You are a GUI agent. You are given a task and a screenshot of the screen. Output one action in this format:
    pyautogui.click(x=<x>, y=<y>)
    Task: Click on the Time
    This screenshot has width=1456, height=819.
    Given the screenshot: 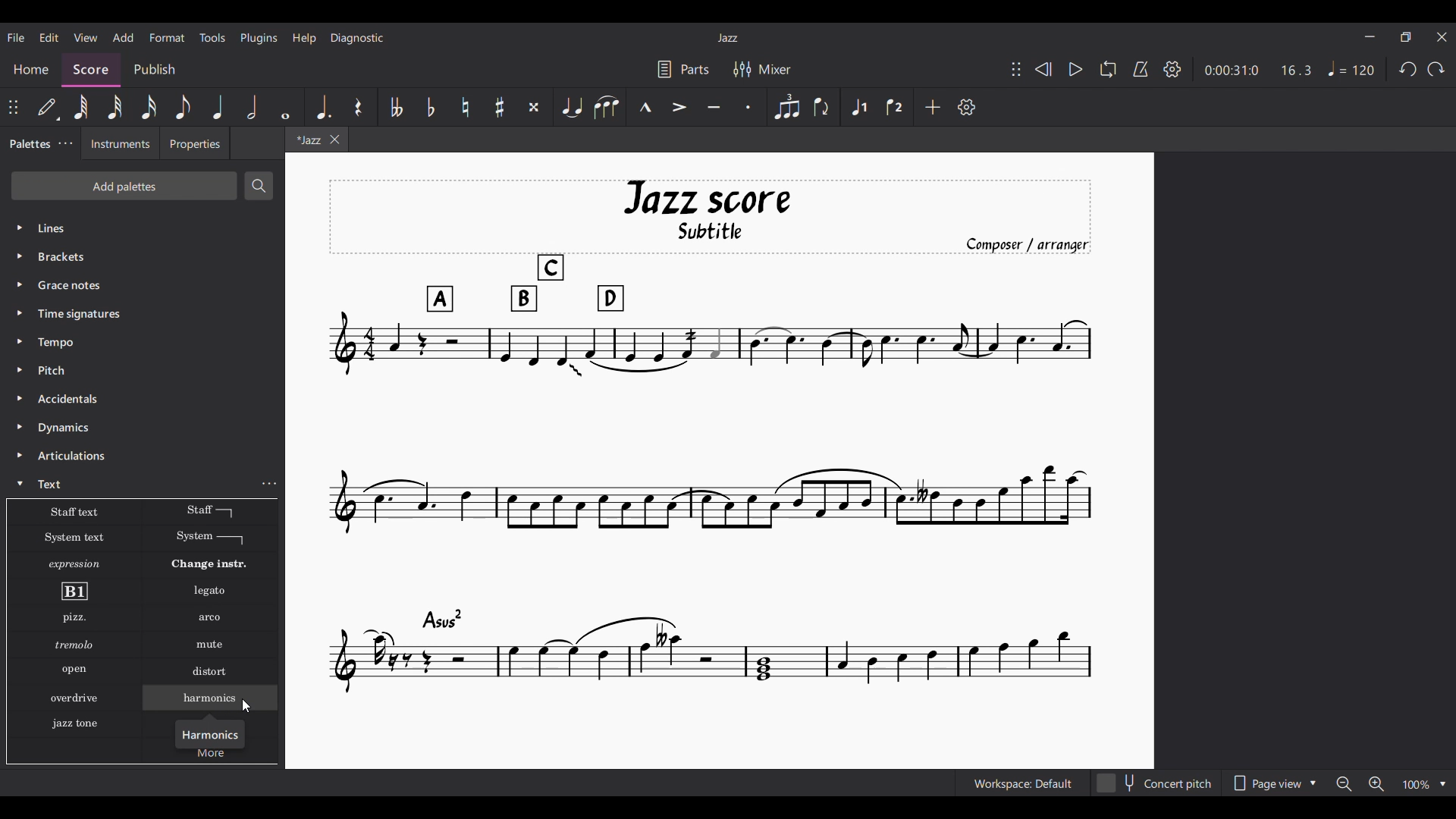 What is the action you would take?
    pyautogui.click(x=99, y=314)
    